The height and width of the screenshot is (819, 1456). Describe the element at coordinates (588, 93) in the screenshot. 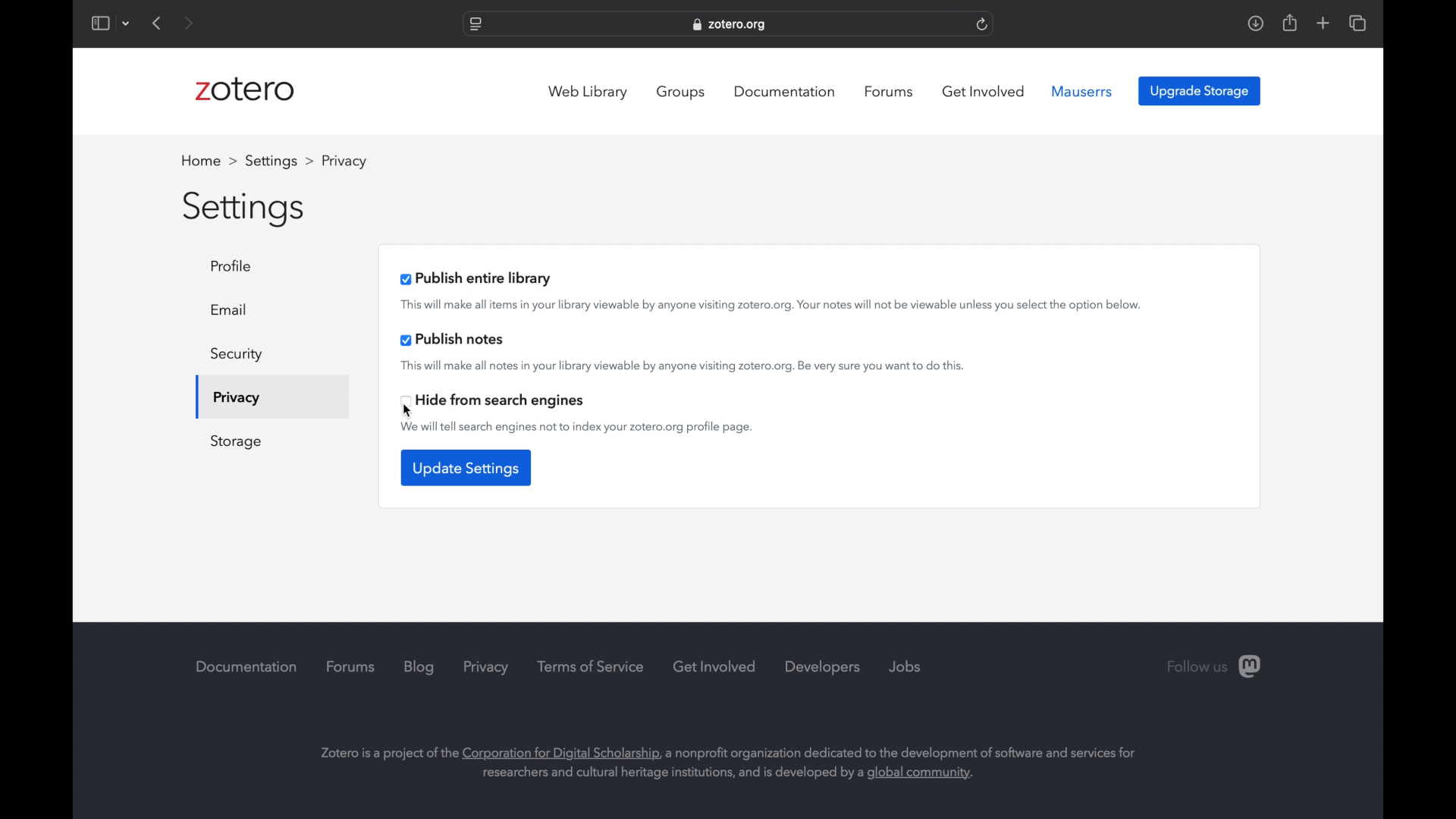

I see `web library` at that location.